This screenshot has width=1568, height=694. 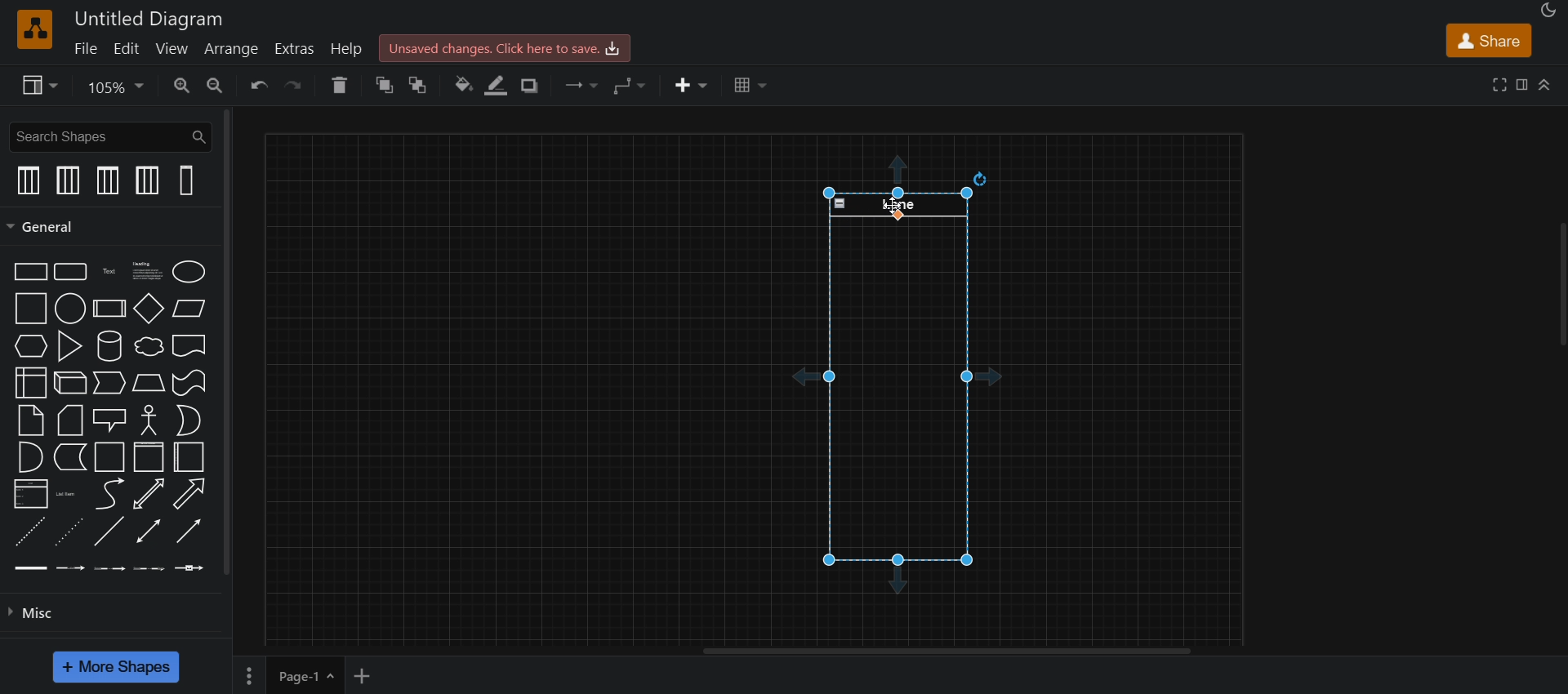 I want to click on process, so click(x=110, y=309).